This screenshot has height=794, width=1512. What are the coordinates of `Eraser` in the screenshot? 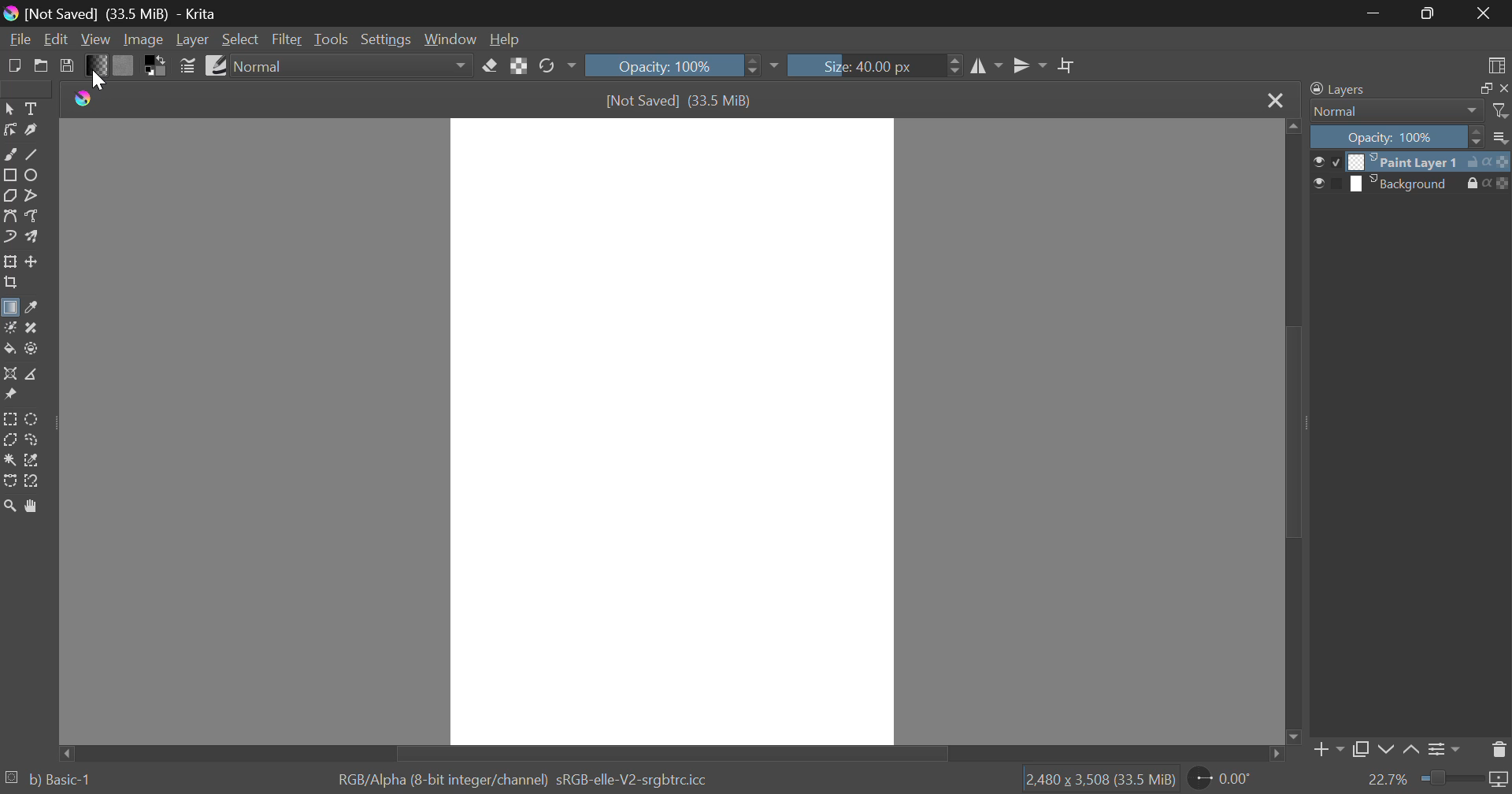 It's located at (491, 64).